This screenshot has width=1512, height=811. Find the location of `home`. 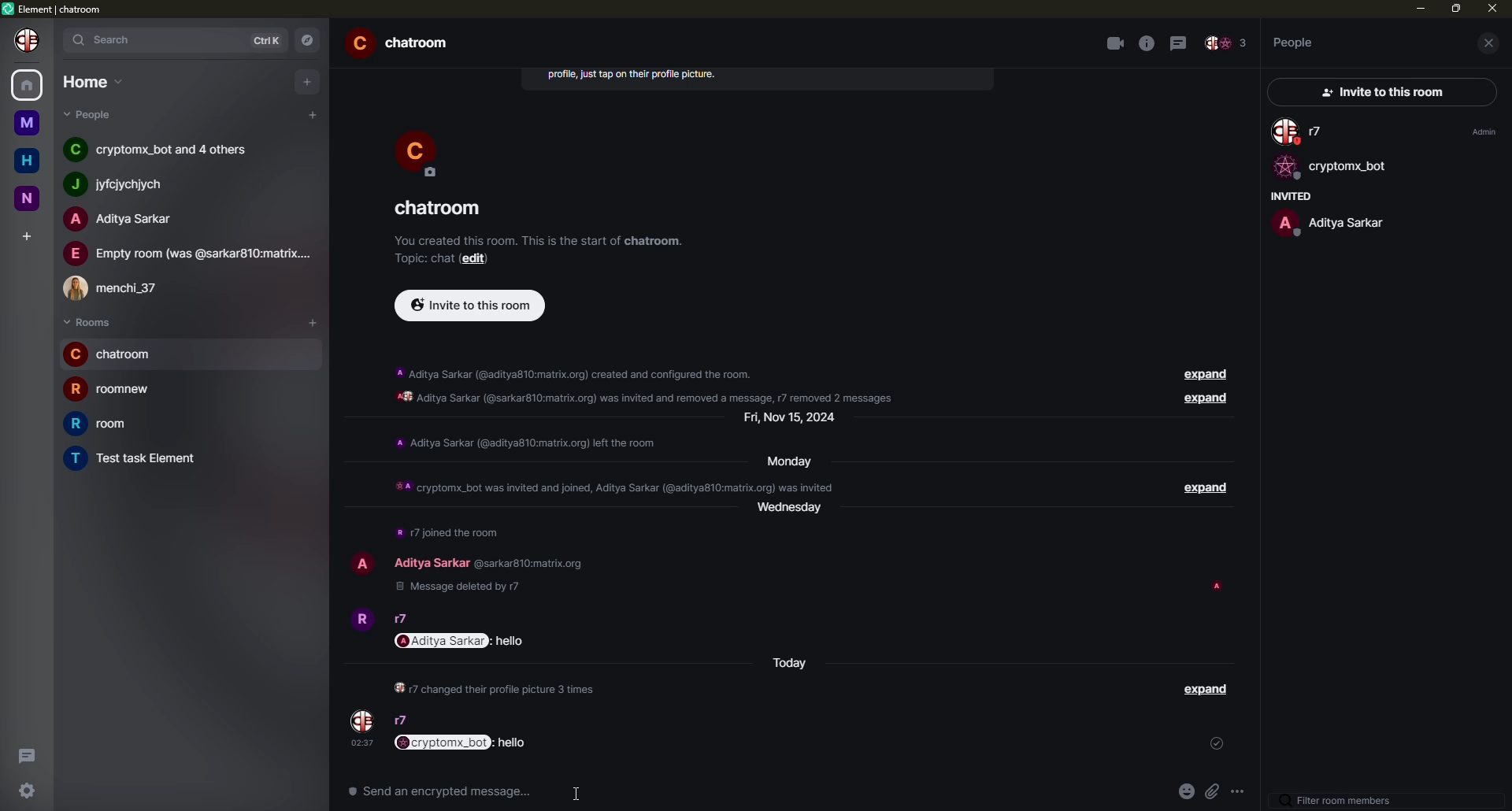

home is located at coordinates (94, 81).